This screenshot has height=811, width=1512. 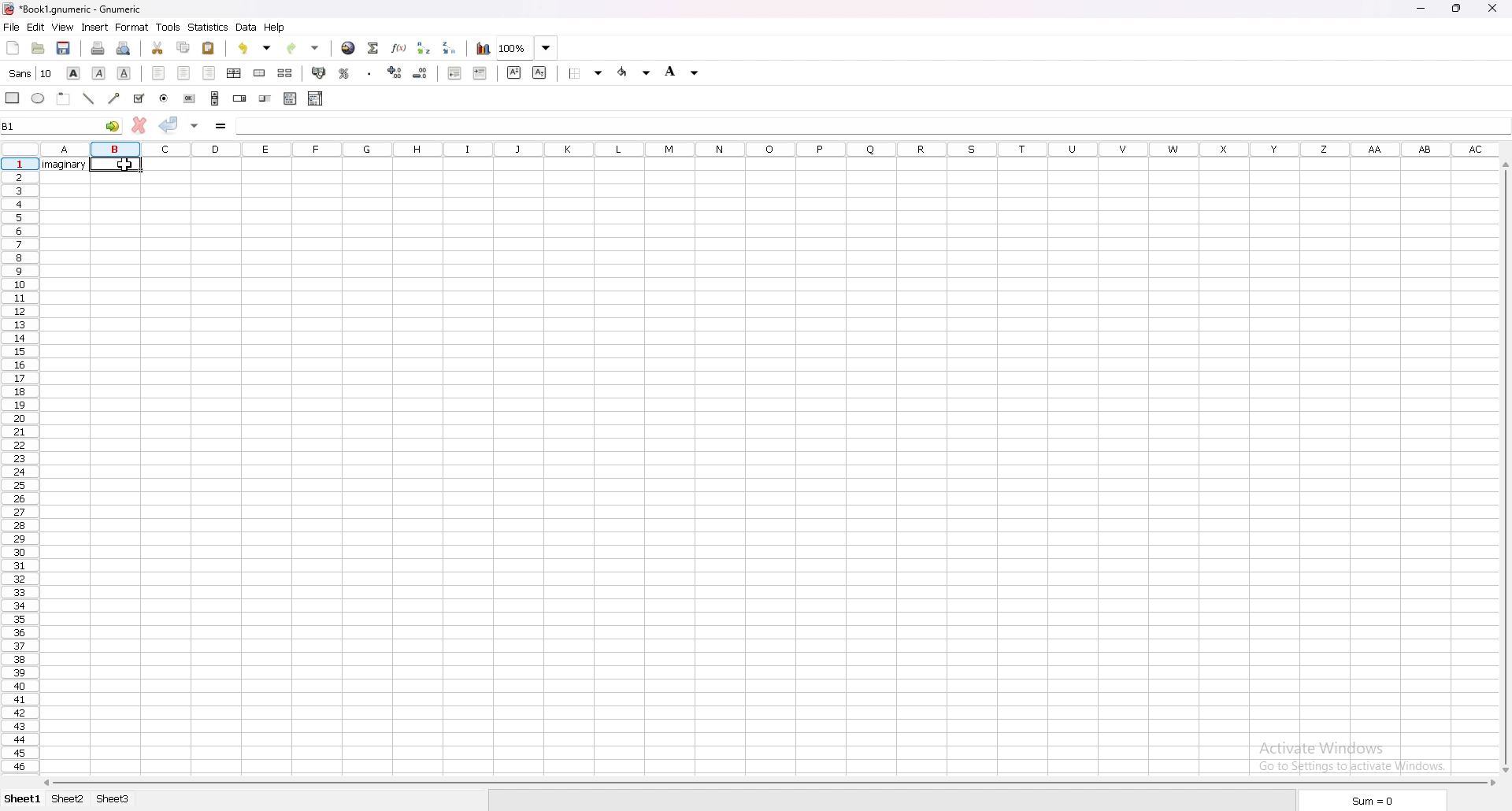 What do you see at coordinates (63, 27) in the screenshot?
I see `view` at bounding box center [63, 27].